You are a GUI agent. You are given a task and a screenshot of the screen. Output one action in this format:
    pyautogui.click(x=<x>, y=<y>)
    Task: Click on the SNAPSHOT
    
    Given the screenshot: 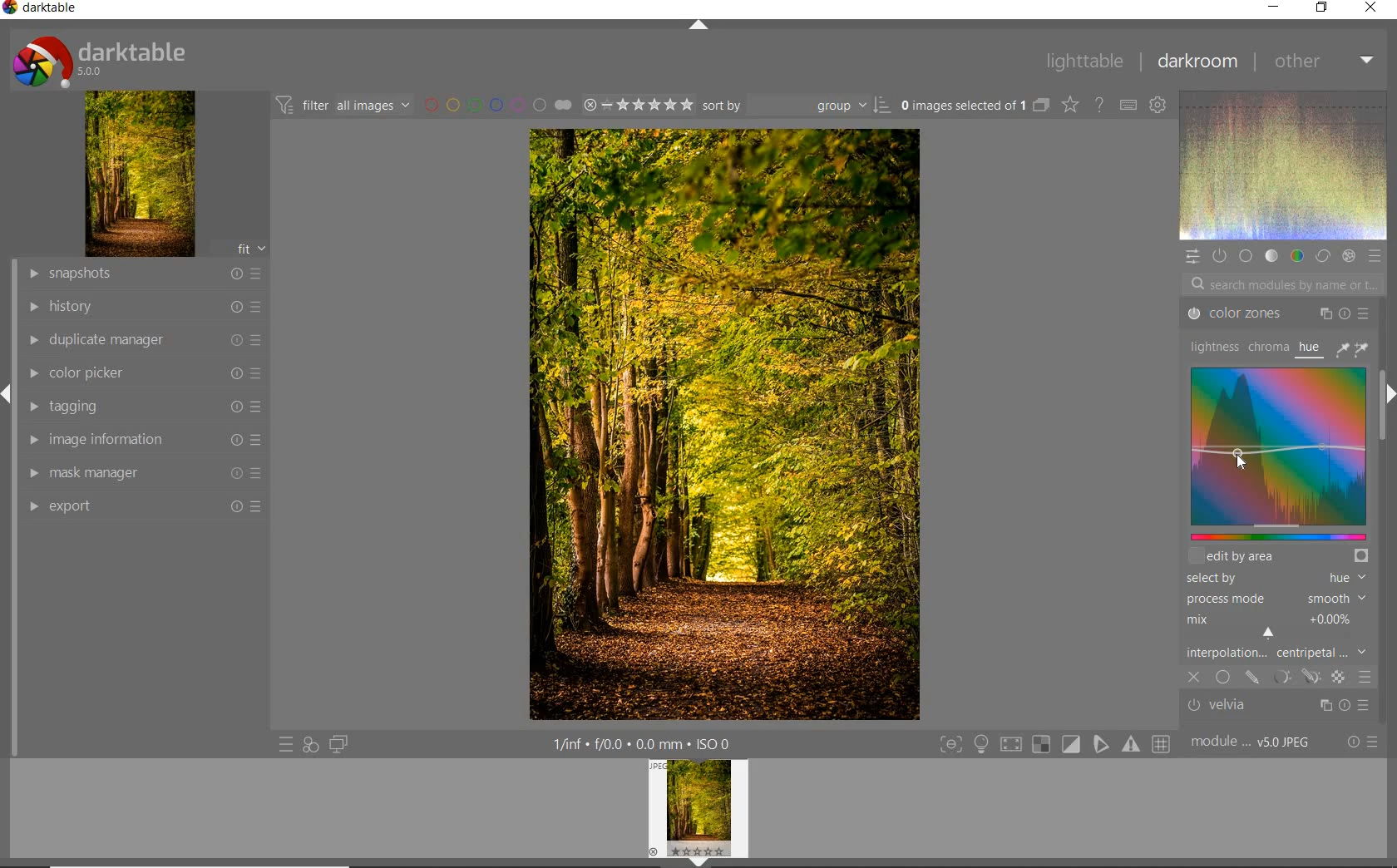 What is the action you would take?
    pyautogui.click(x=144, y=273)
    